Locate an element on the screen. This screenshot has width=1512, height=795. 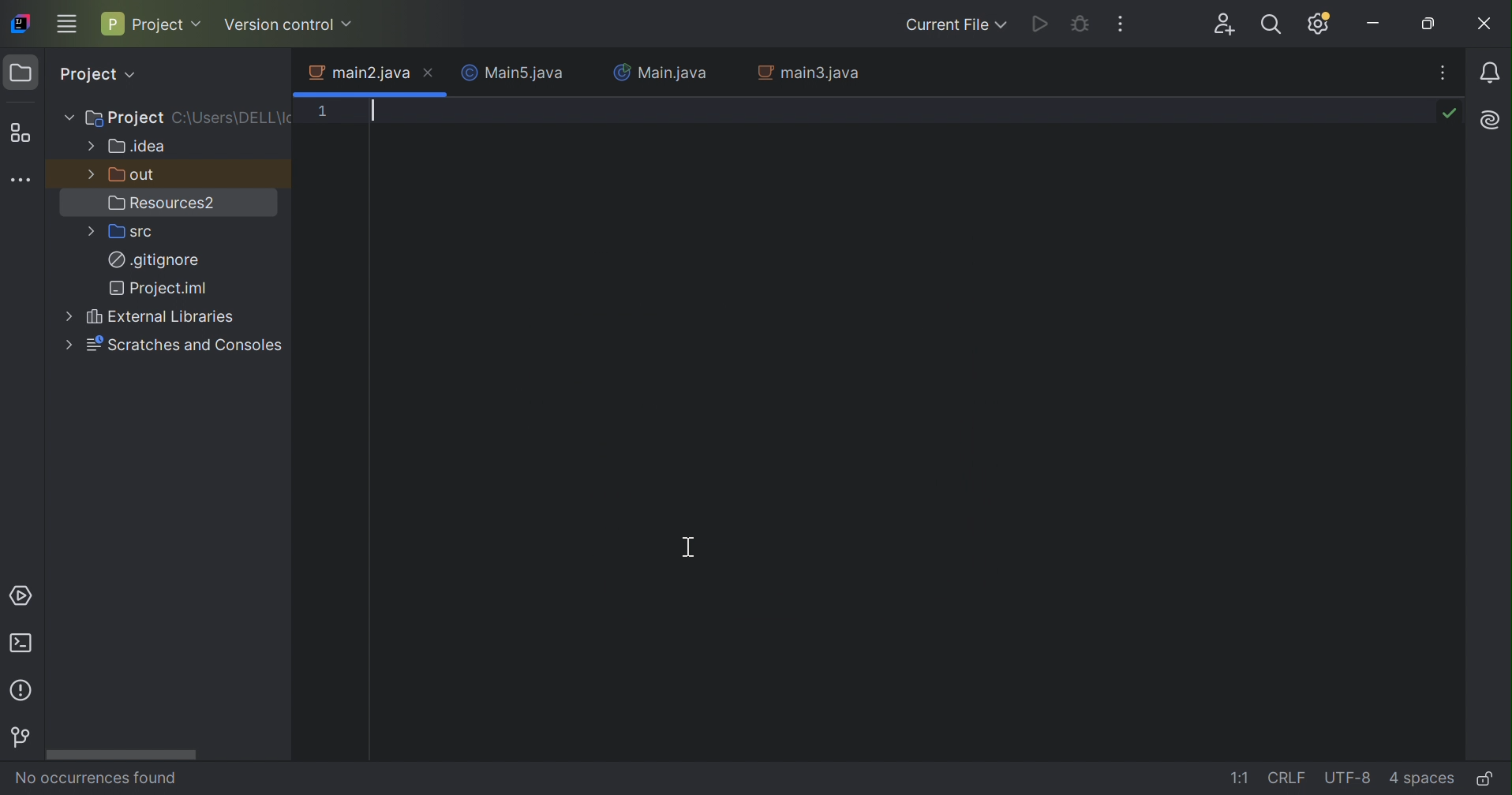
Resources2 is located at coordinates (167, 203).